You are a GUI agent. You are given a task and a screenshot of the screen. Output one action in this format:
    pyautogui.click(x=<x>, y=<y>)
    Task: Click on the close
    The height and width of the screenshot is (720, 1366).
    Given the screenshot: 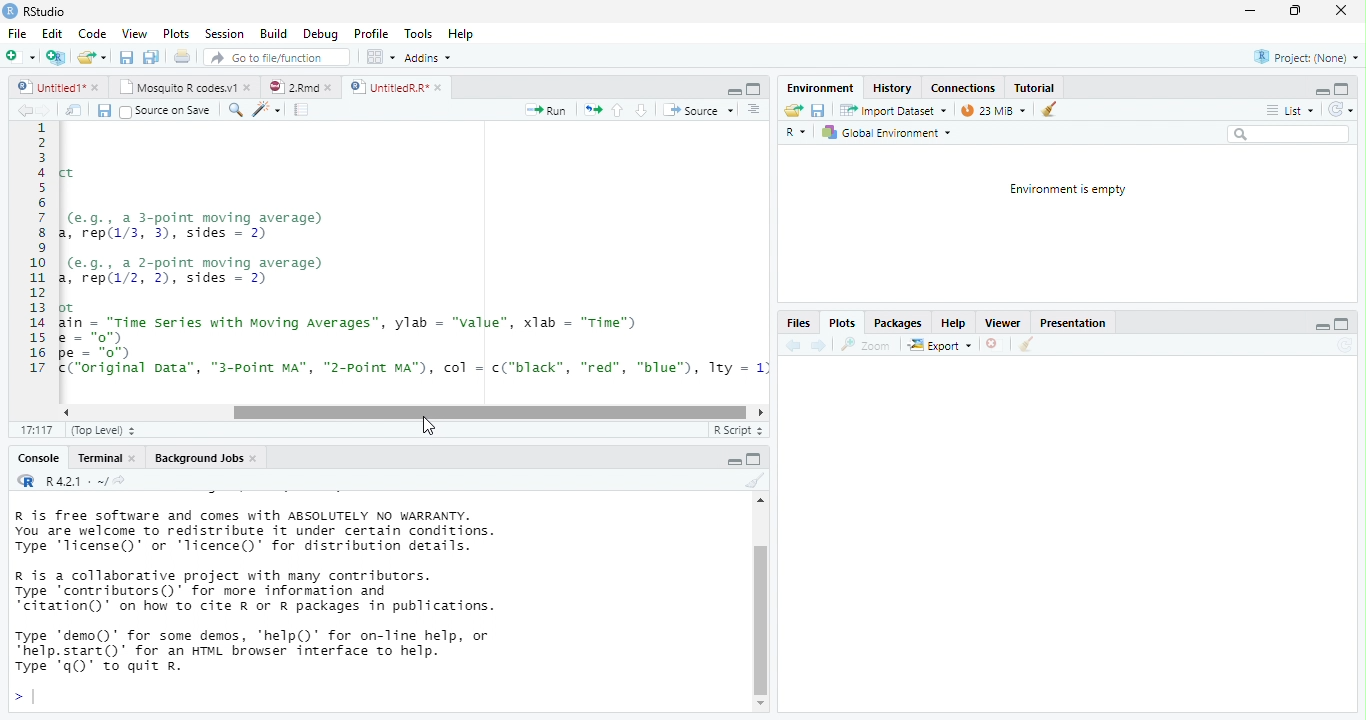 What is the action you would take?
    pyautogui.click(x=250, y=86)
    